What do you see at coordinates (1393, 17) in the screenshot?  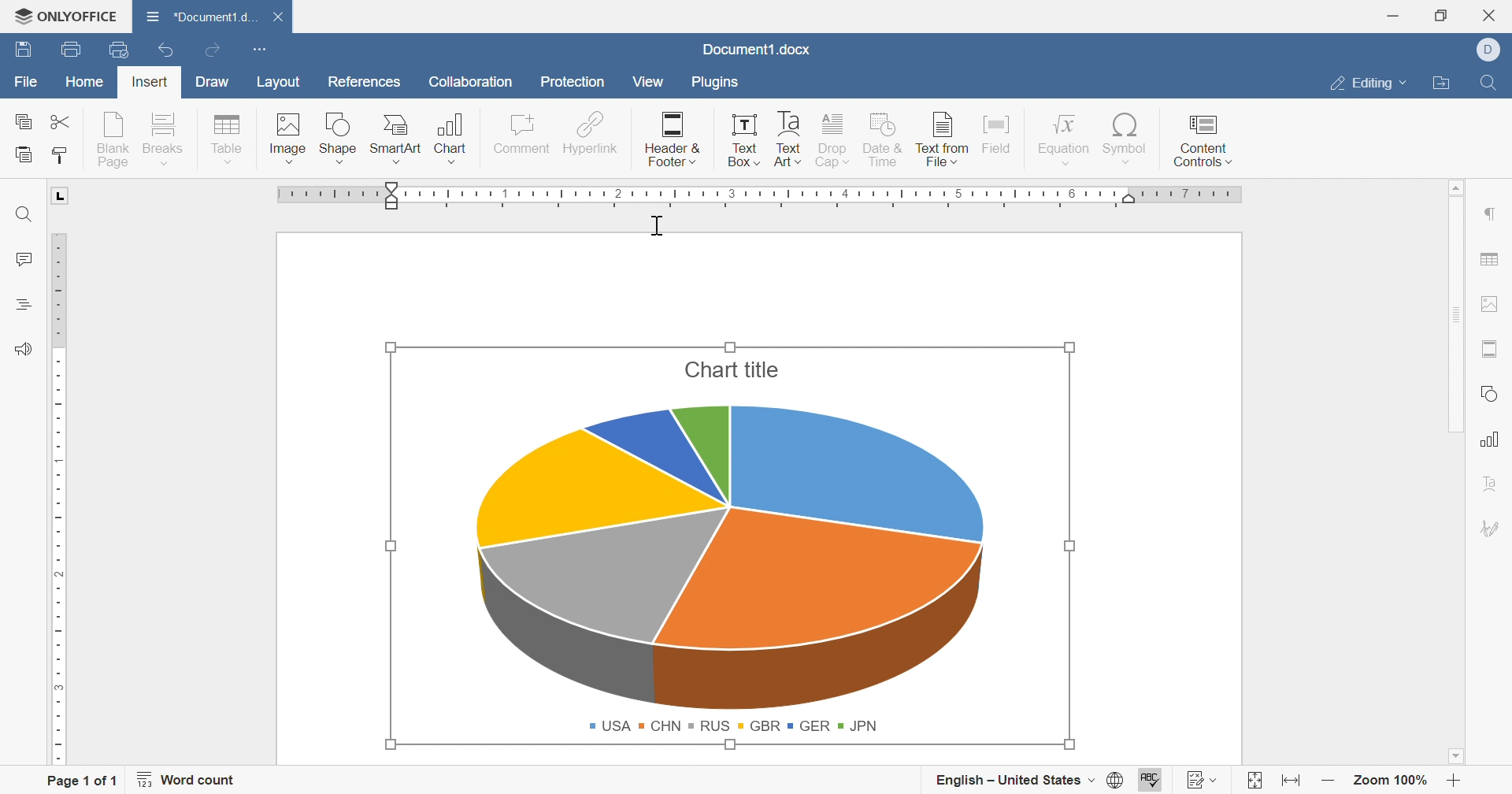 I see `Minimize` at bounding box center [1393, 17].